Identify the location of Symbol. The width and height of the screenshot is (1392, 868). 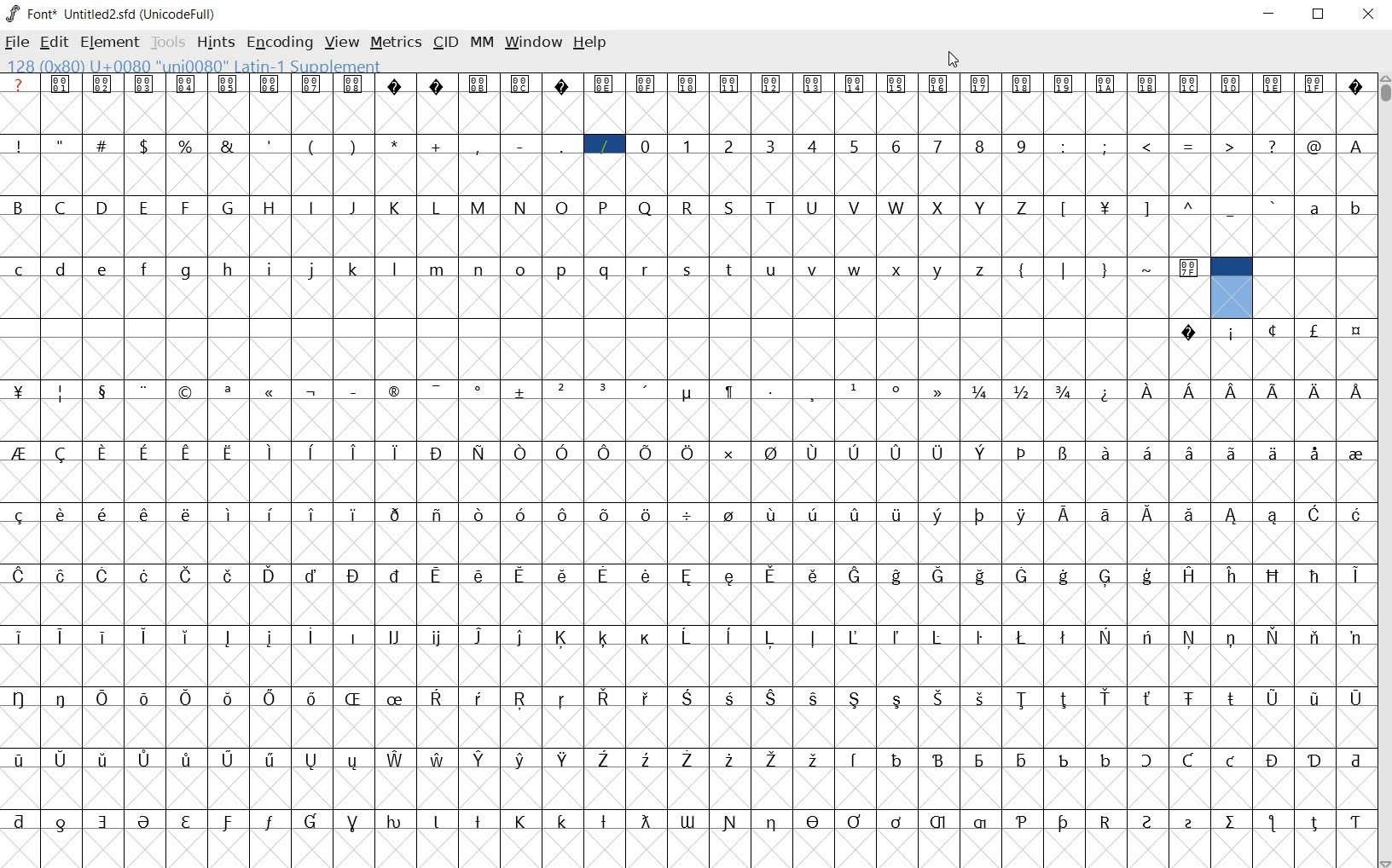
(20, 454).